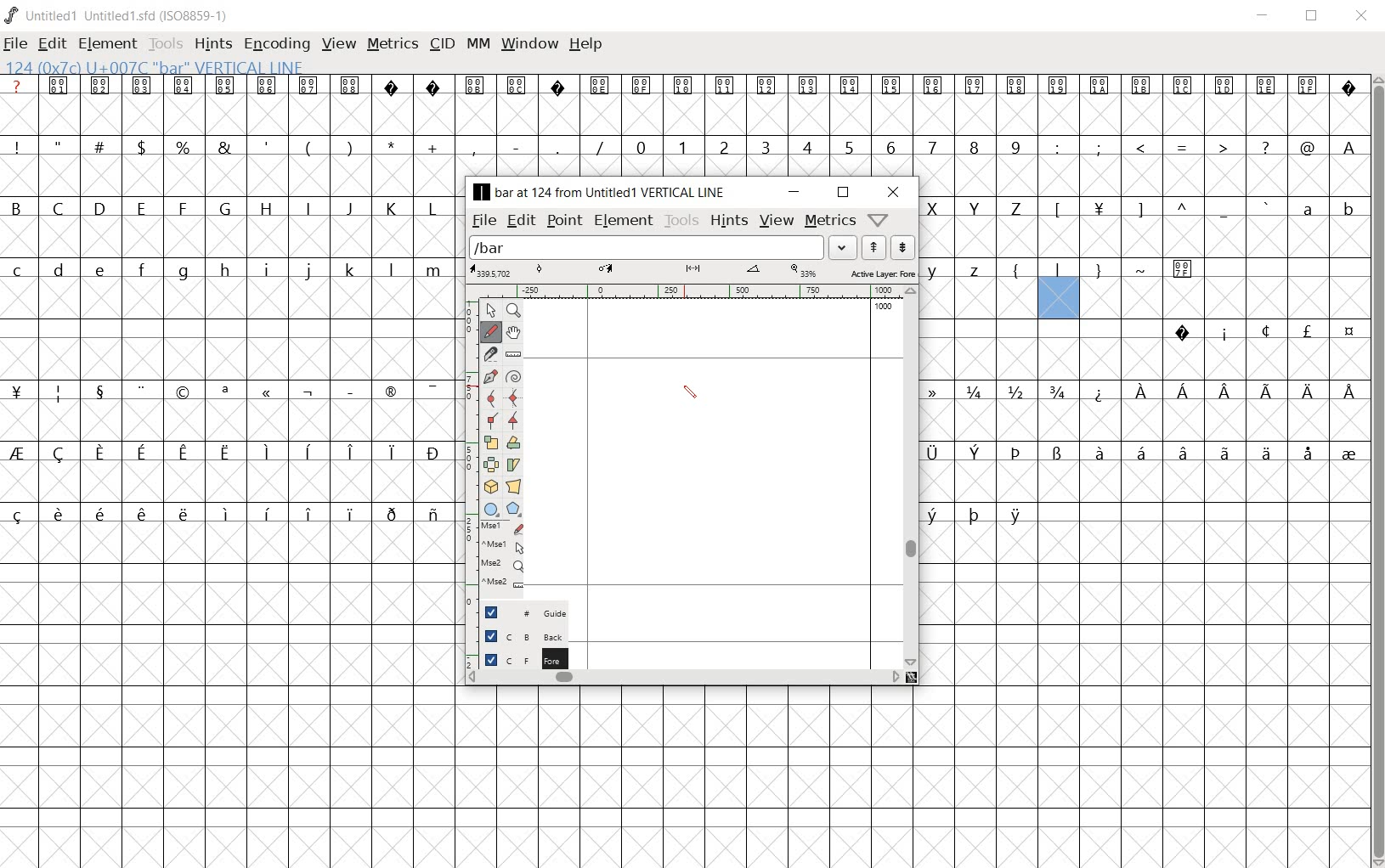 The image size is (1385, 868). What do you see at coordinates (691, 394) in the screenshot?
I see `pen tool/CURSOR POSITION` at bounding box center [691, 394].